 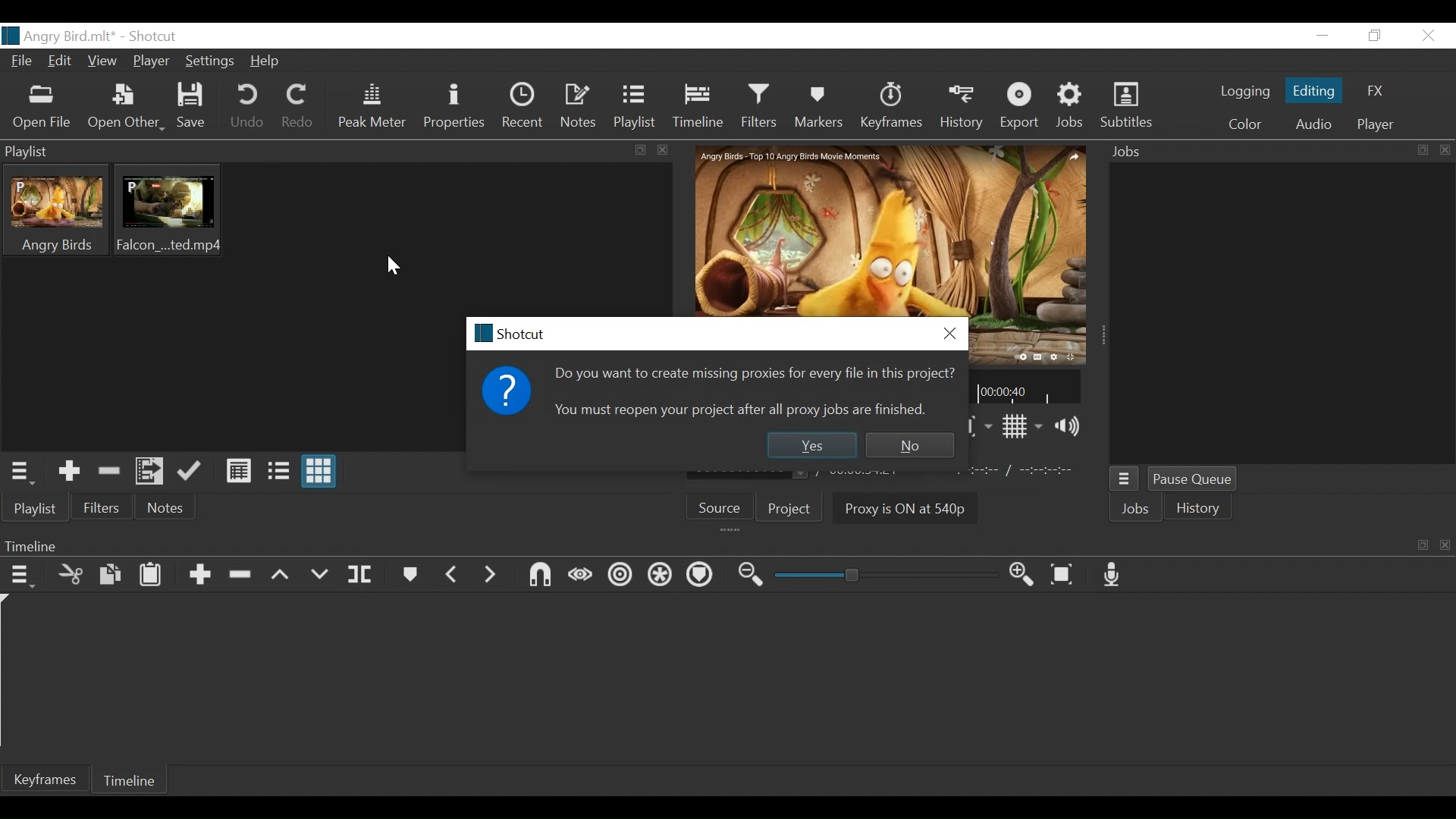 I want to click on Prompt, so click(x=512, y=394).